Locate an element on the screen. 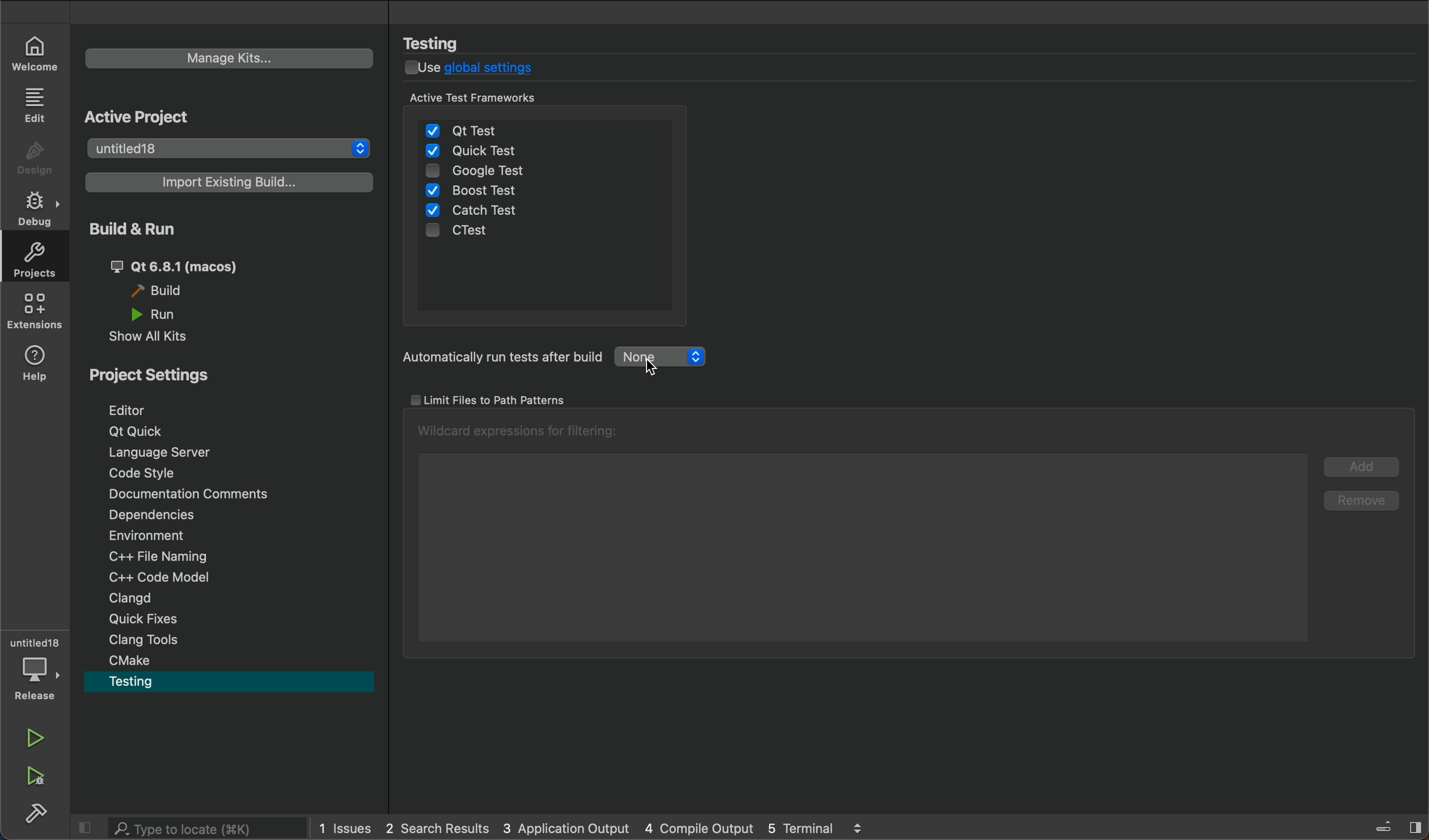  untitled 18 is located at coordinates (225, 150).